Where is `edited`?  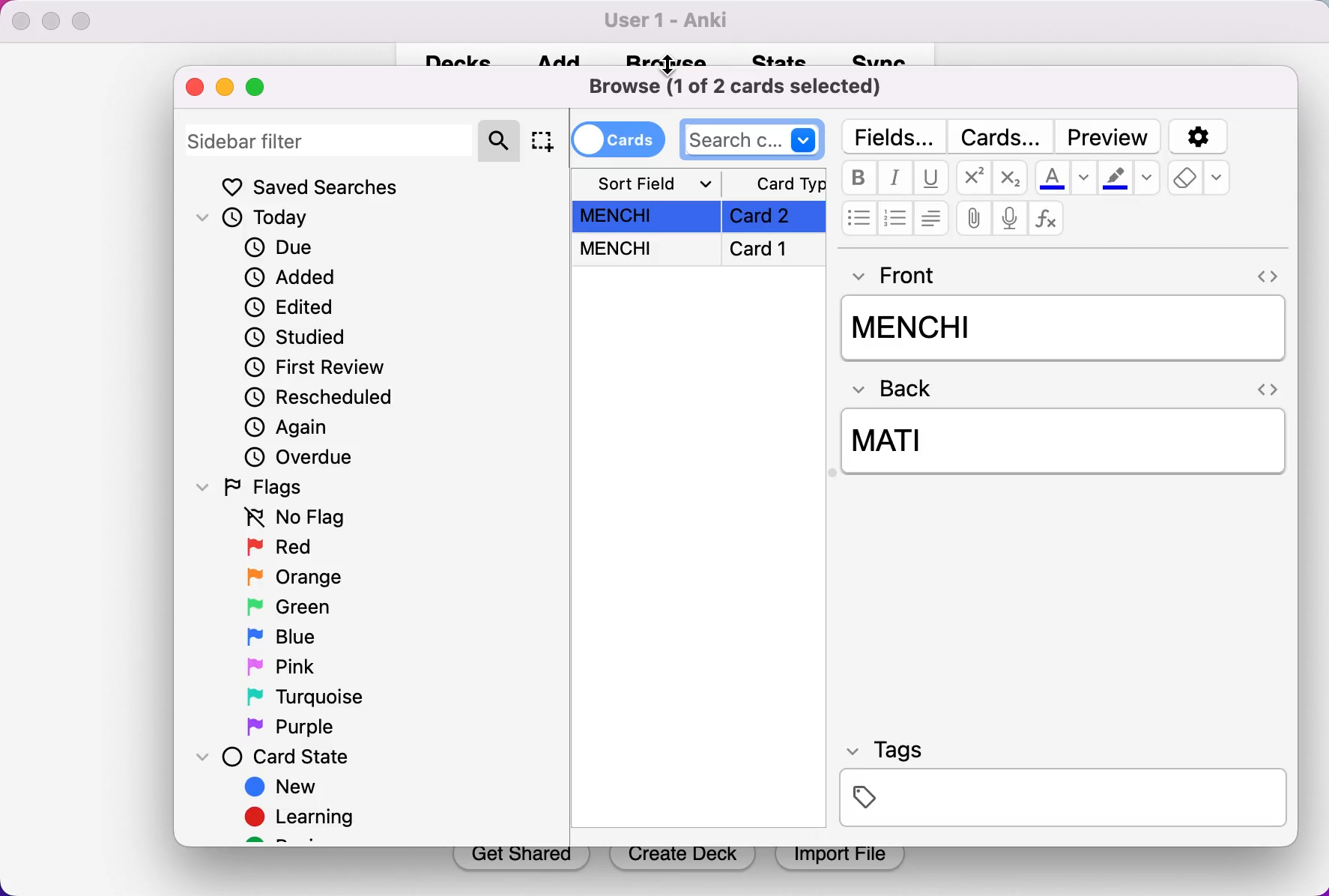 edited is located at coordinates (291, 309).